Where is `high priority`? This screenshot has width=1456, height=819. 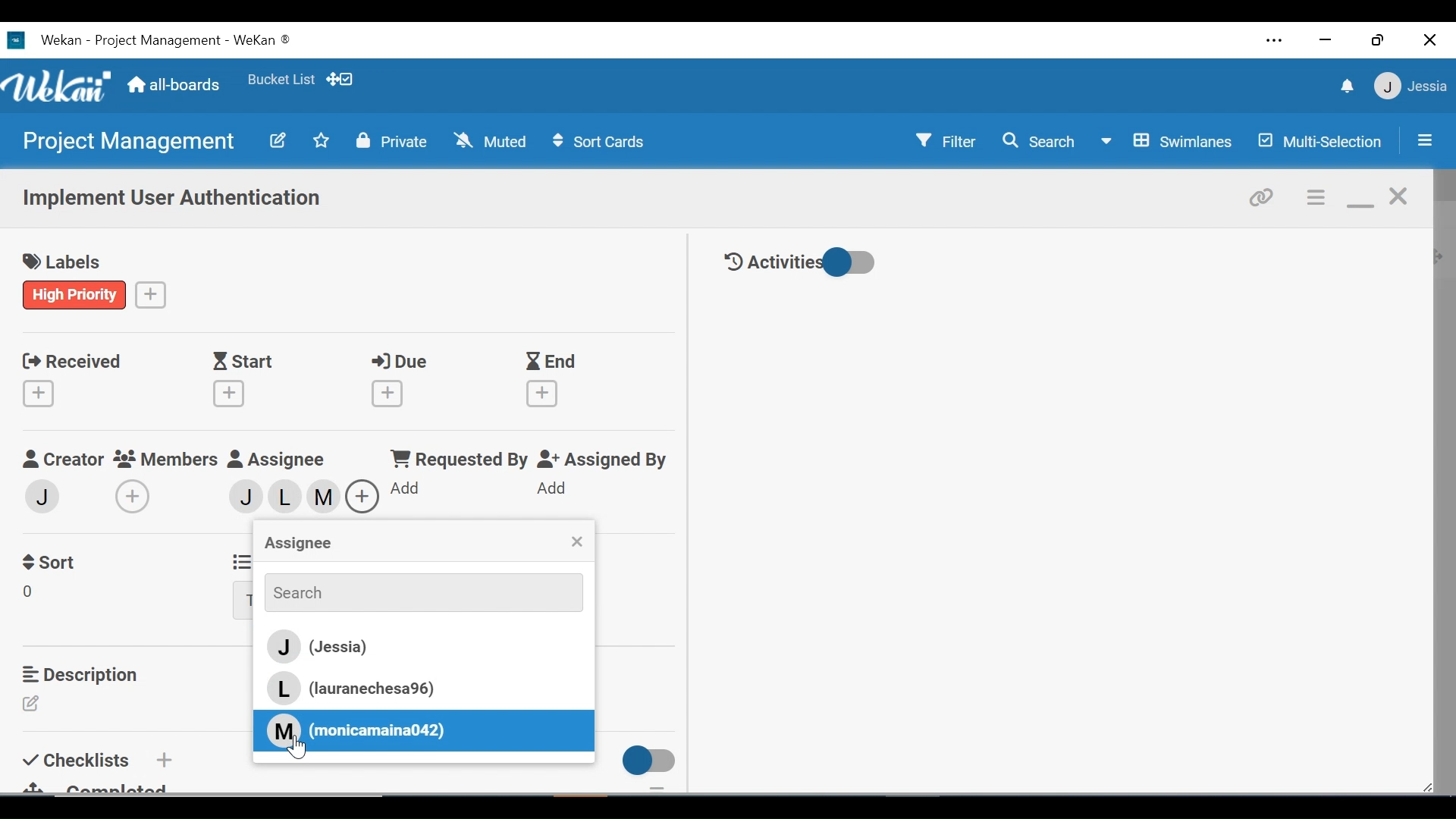
high priority is located at coordinates (75, 294).